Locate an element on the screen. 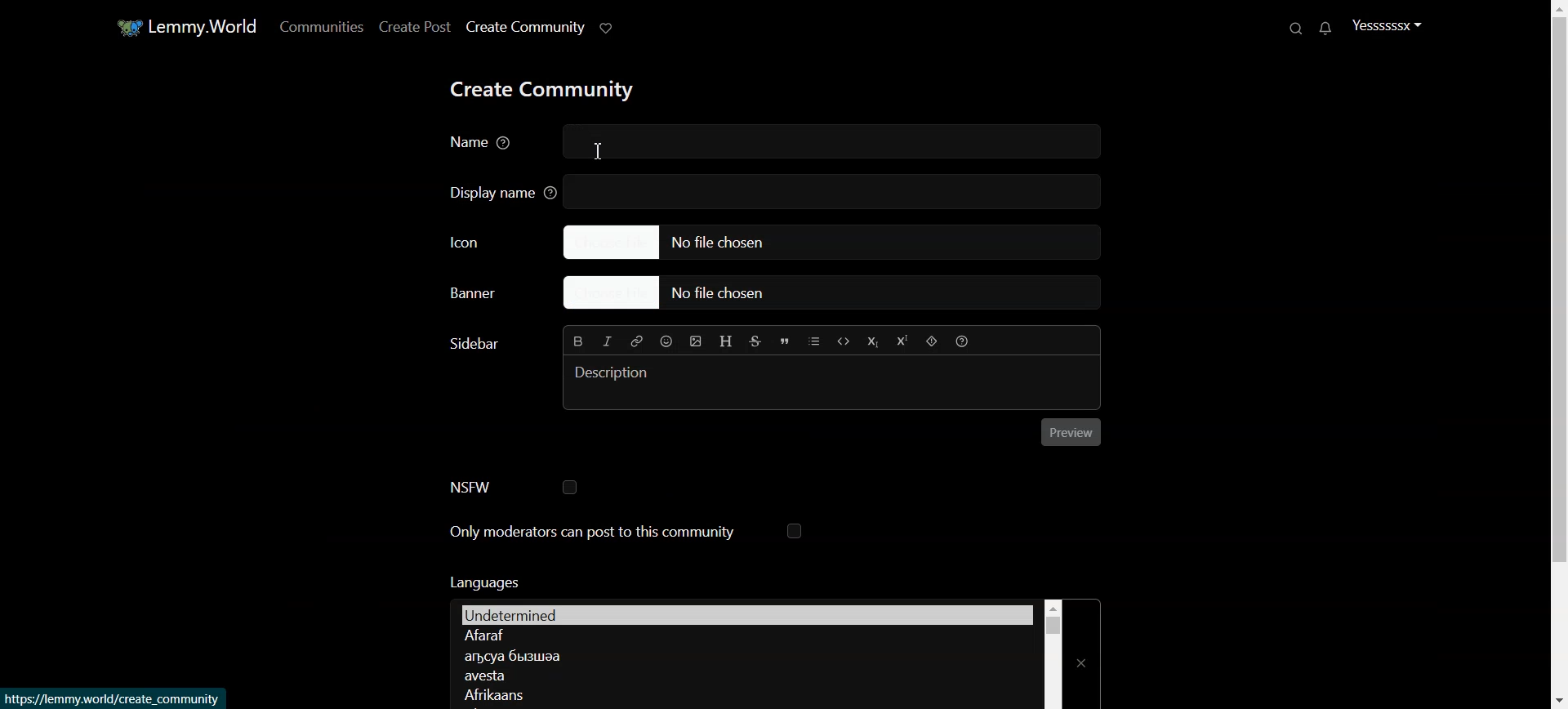 The height and width of the screenshot is (709, 1568). Support Lemmy is located at coordinates (608, 27).